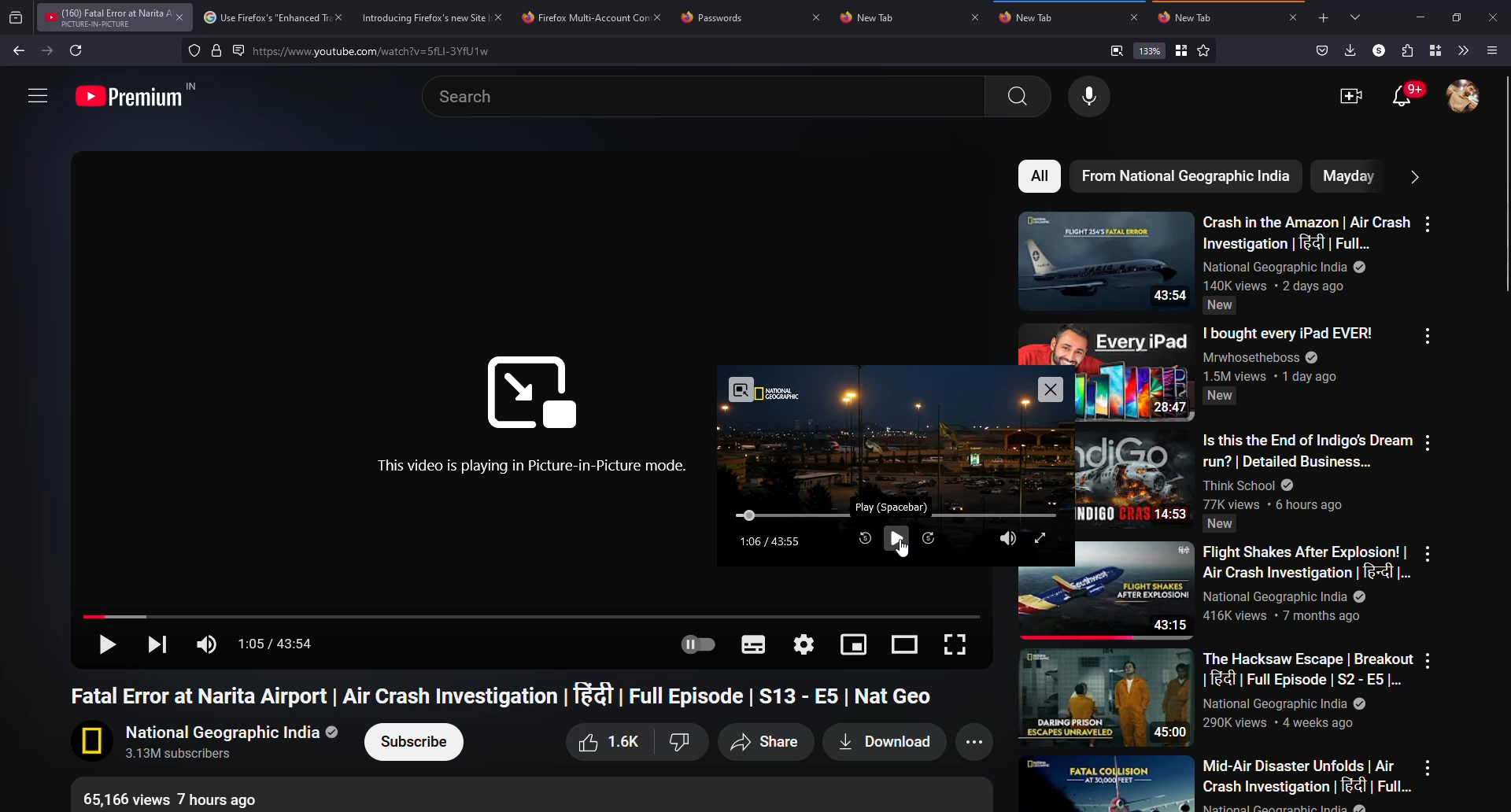  Describe the element at coordinates (718, 19) in the screenshot. I see `Passwords tab` at that location.